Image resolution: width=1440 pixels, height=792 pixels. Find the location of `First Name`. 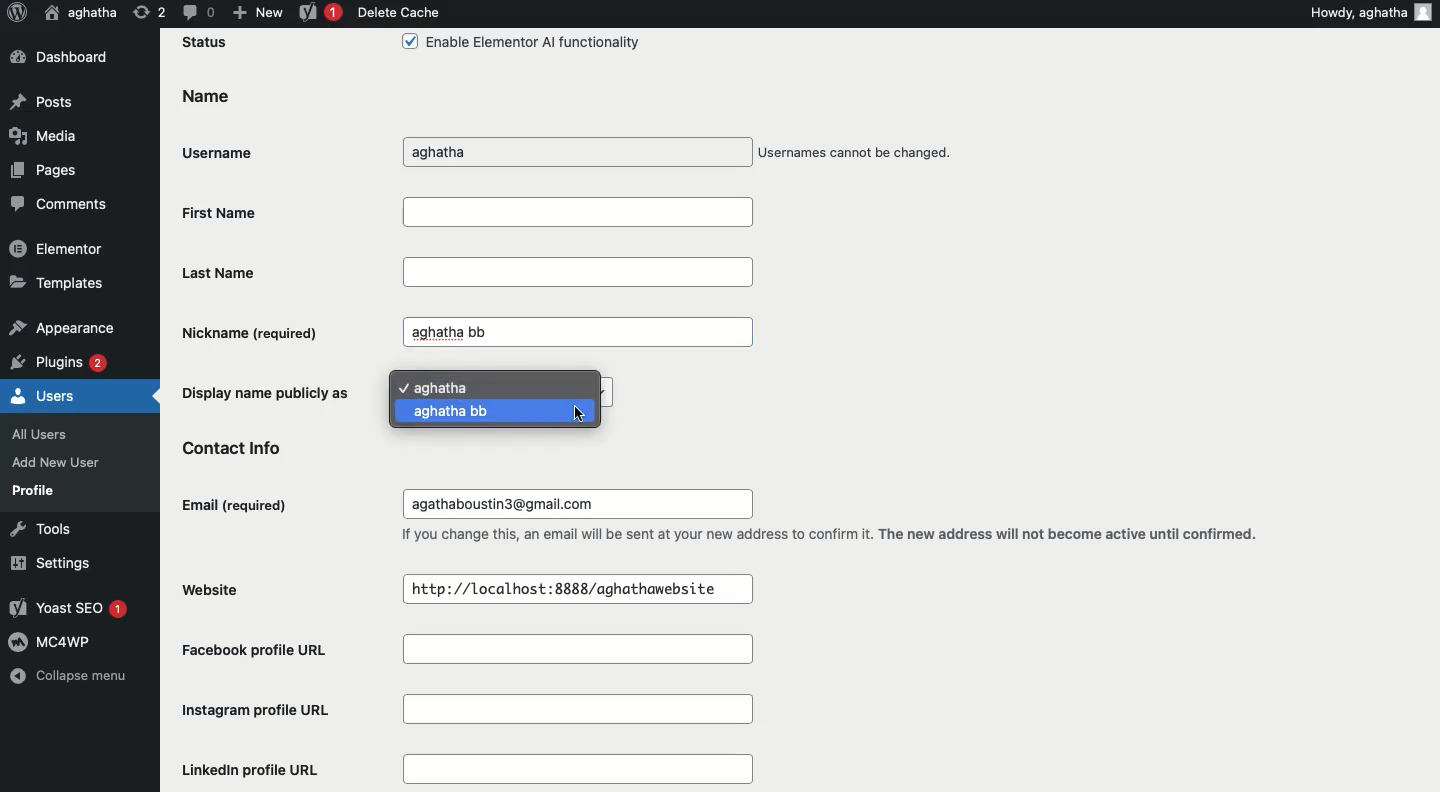

First Name is located at coordinates (465, 211).